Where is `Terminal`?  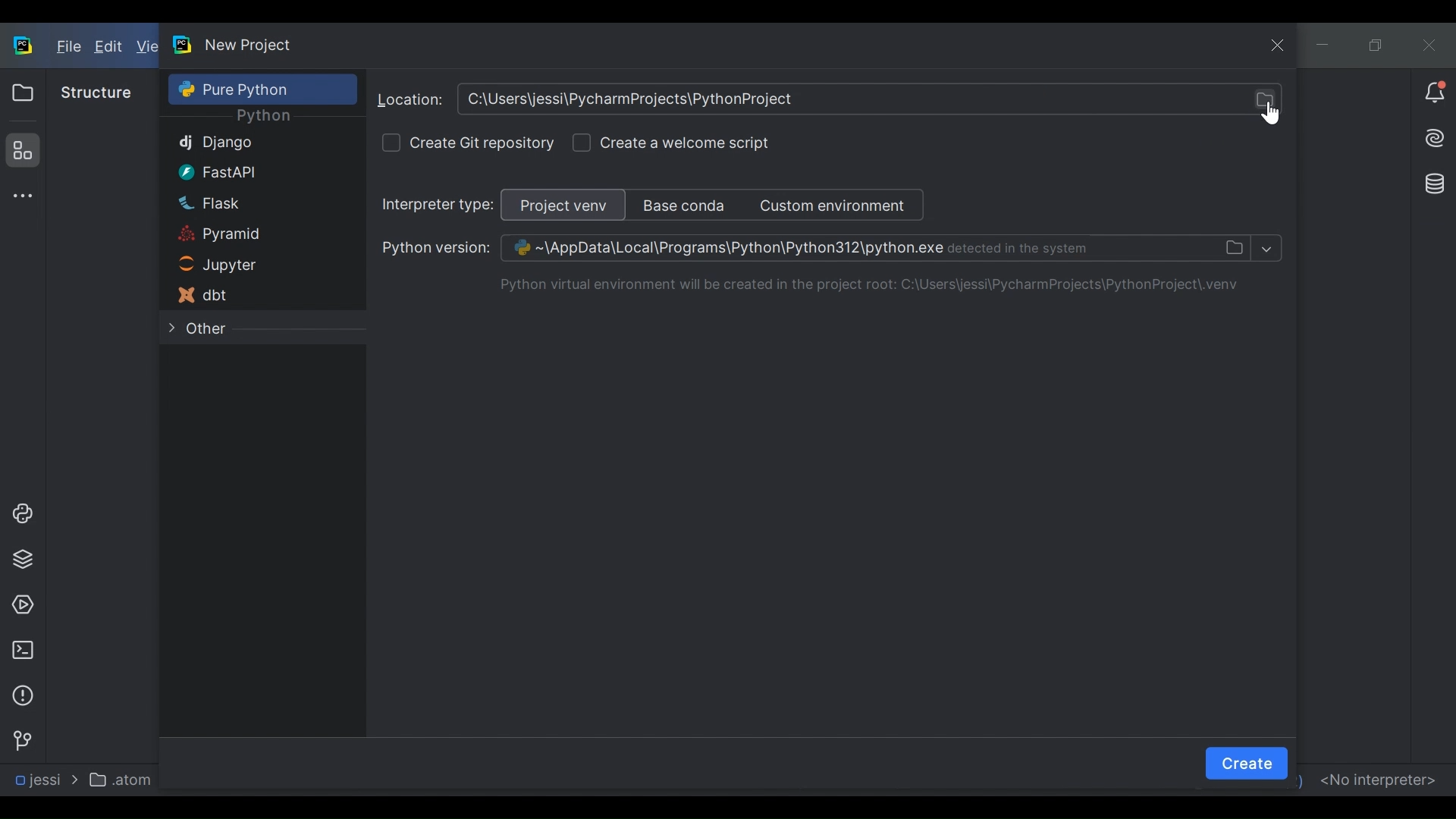
Terminal is located at coordinates (22, 650).